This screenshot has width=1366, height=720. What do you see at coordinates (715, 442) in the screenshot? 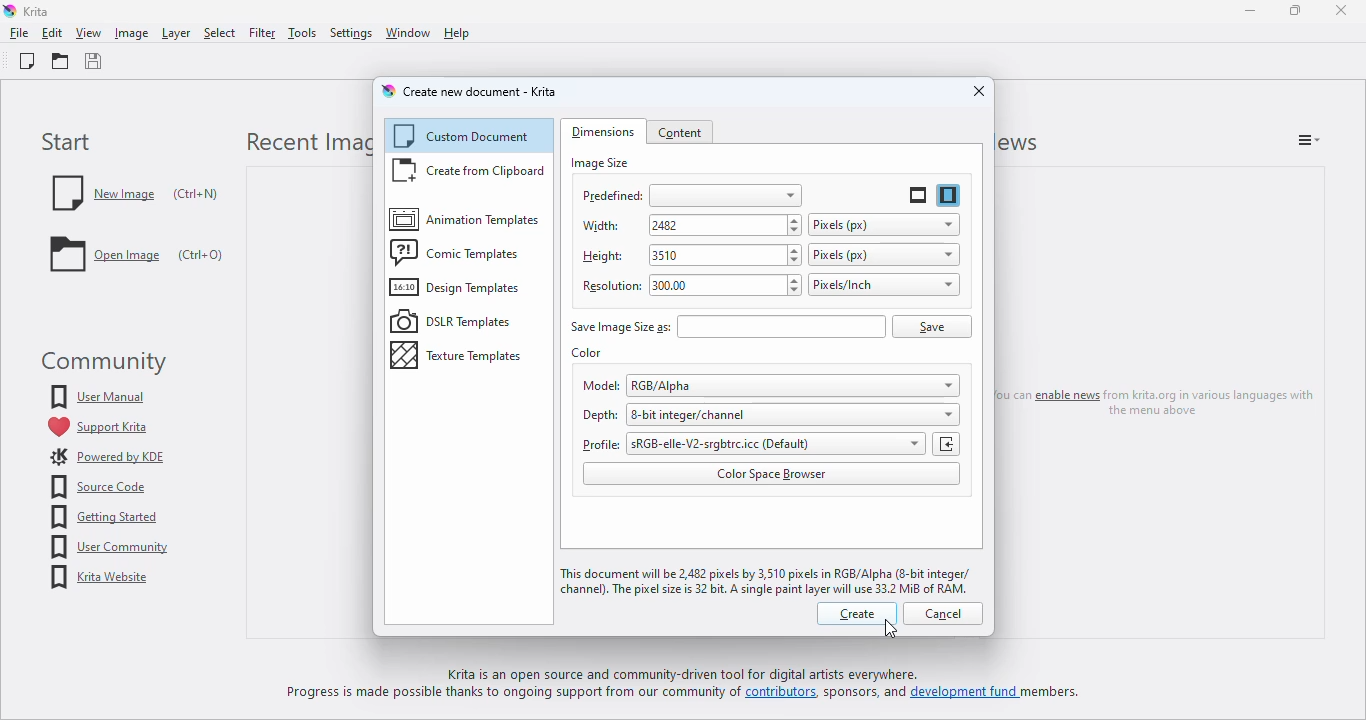
I see `profile: sRGB-elle-V2-srgbtrc.icc(default)` at bounding box center [715, 442].